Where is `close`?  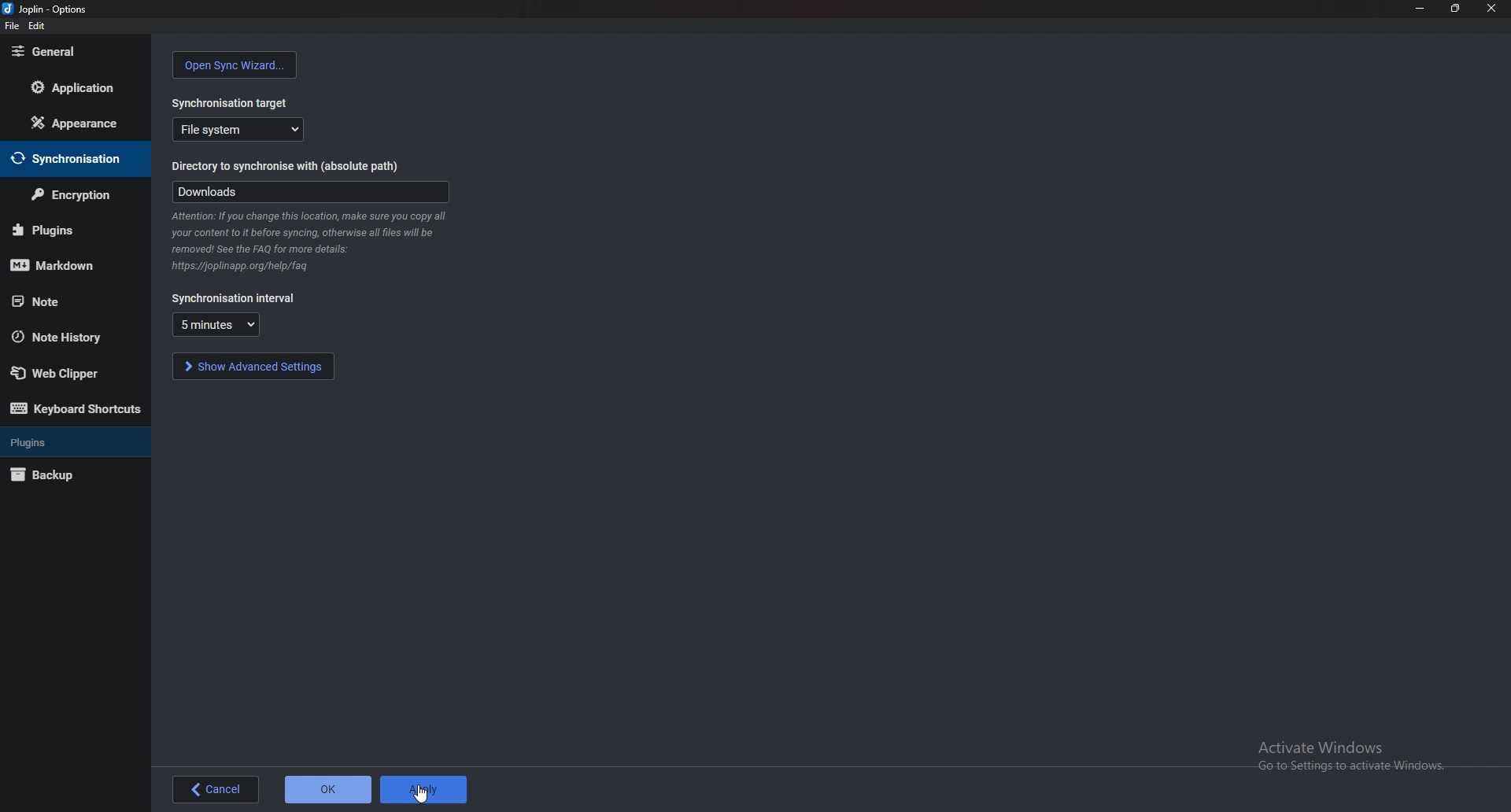
close is located at coordinates (1491, 9).